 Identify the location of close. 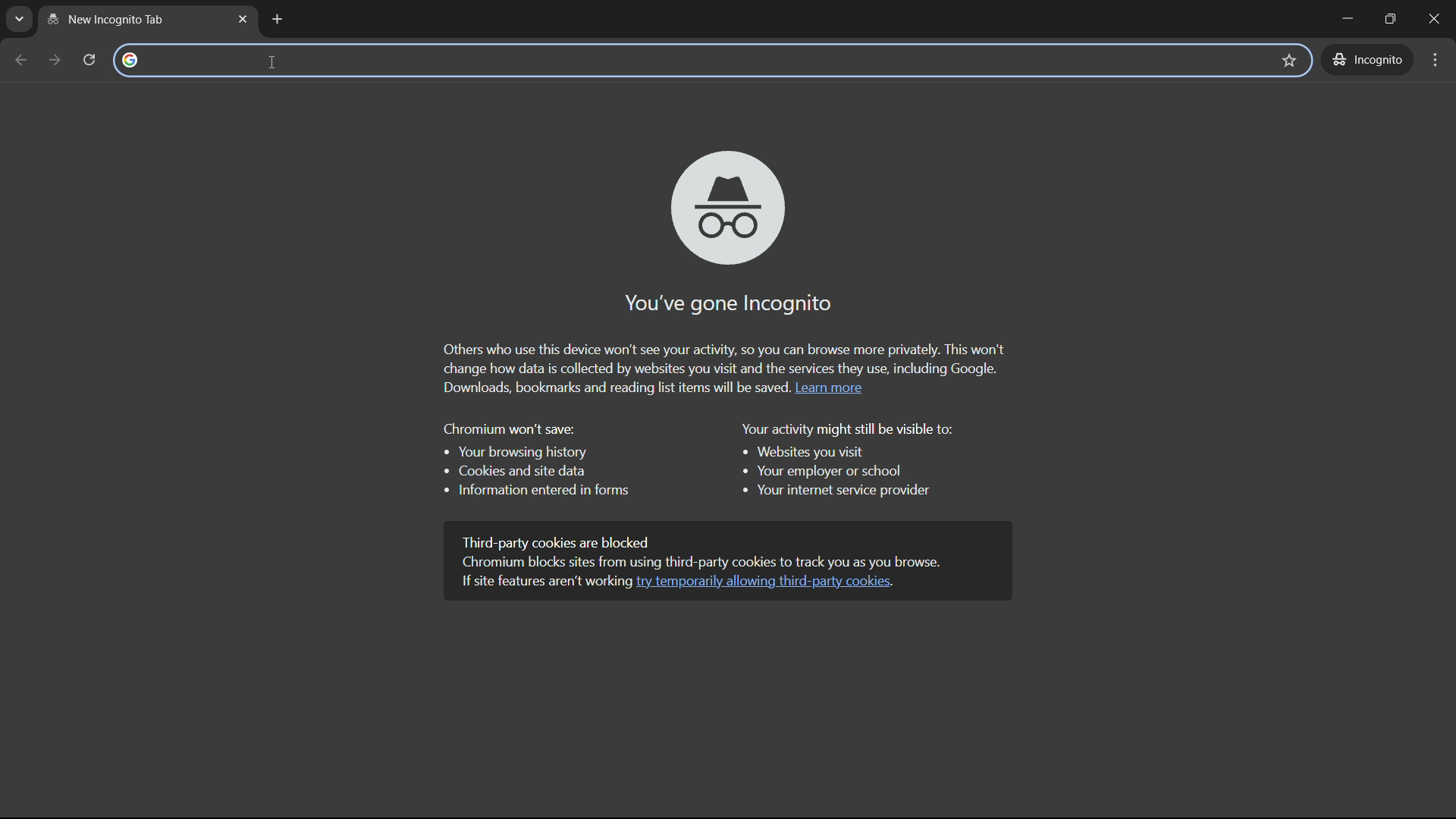
(1439, 19).